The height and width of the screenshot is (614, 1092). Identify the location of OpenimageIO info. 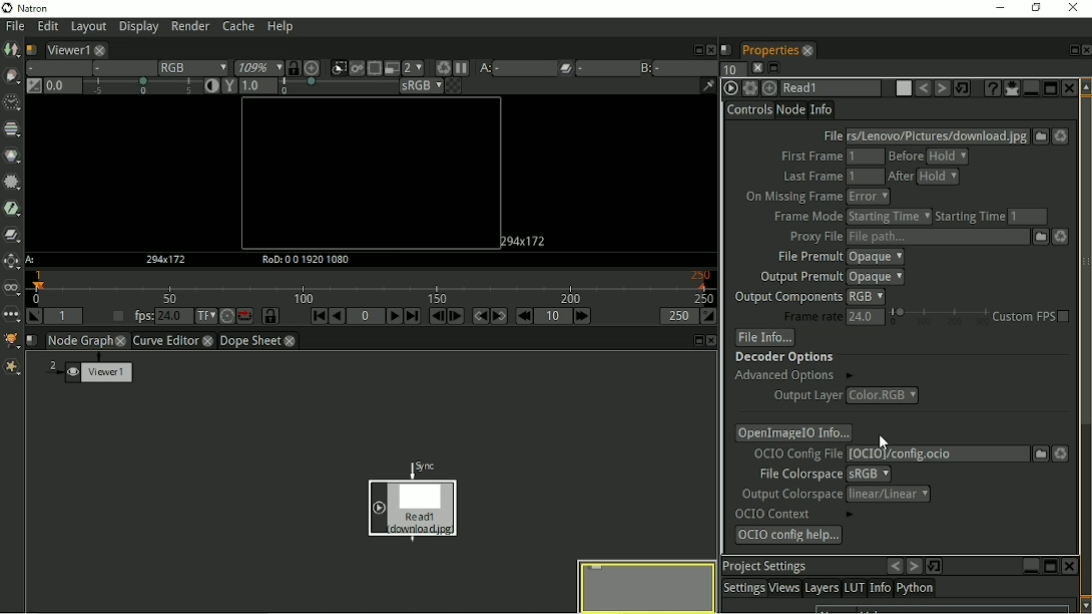
(792, 432).